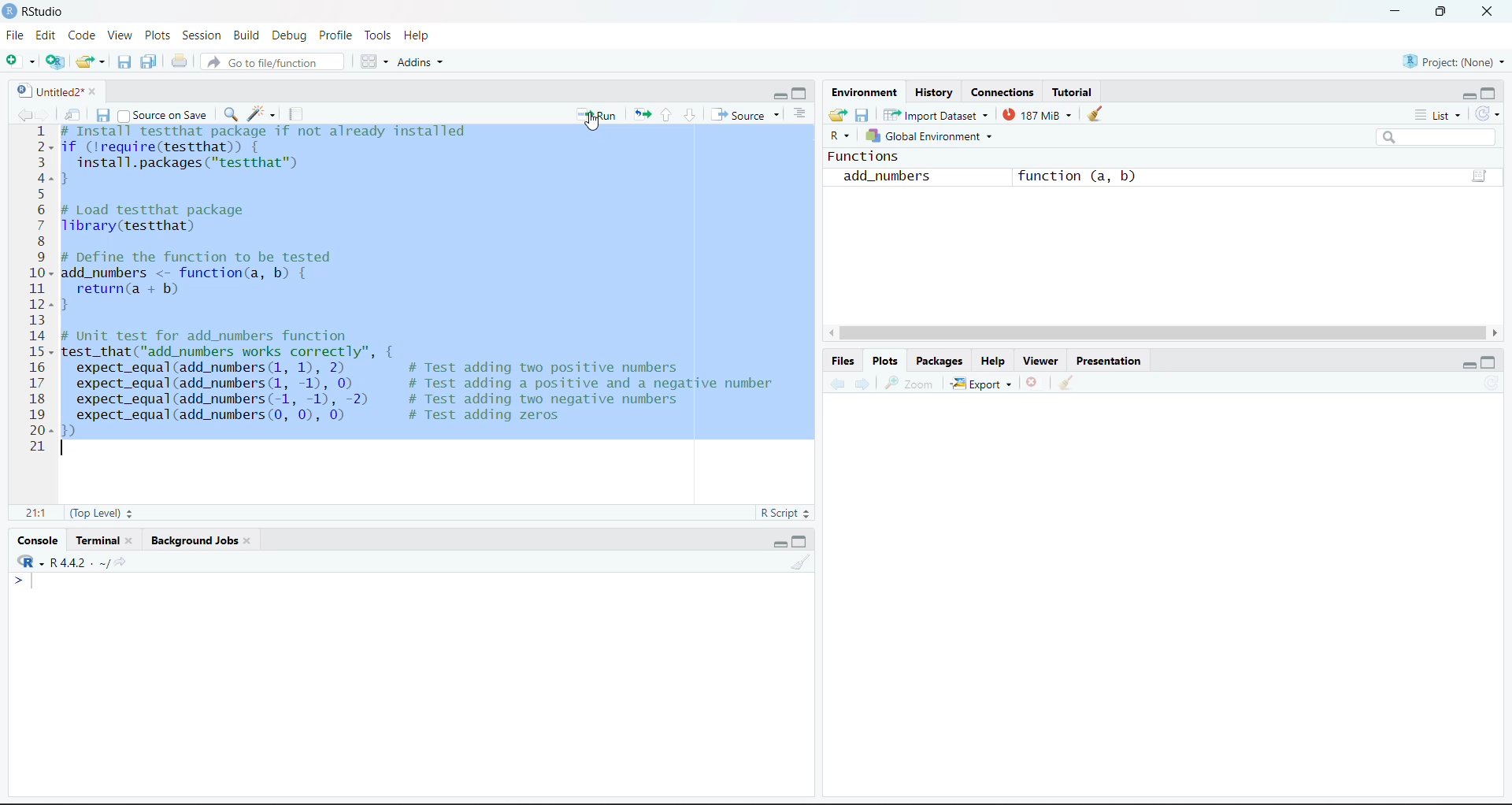  I want to click on minimize, so click(780, 93).